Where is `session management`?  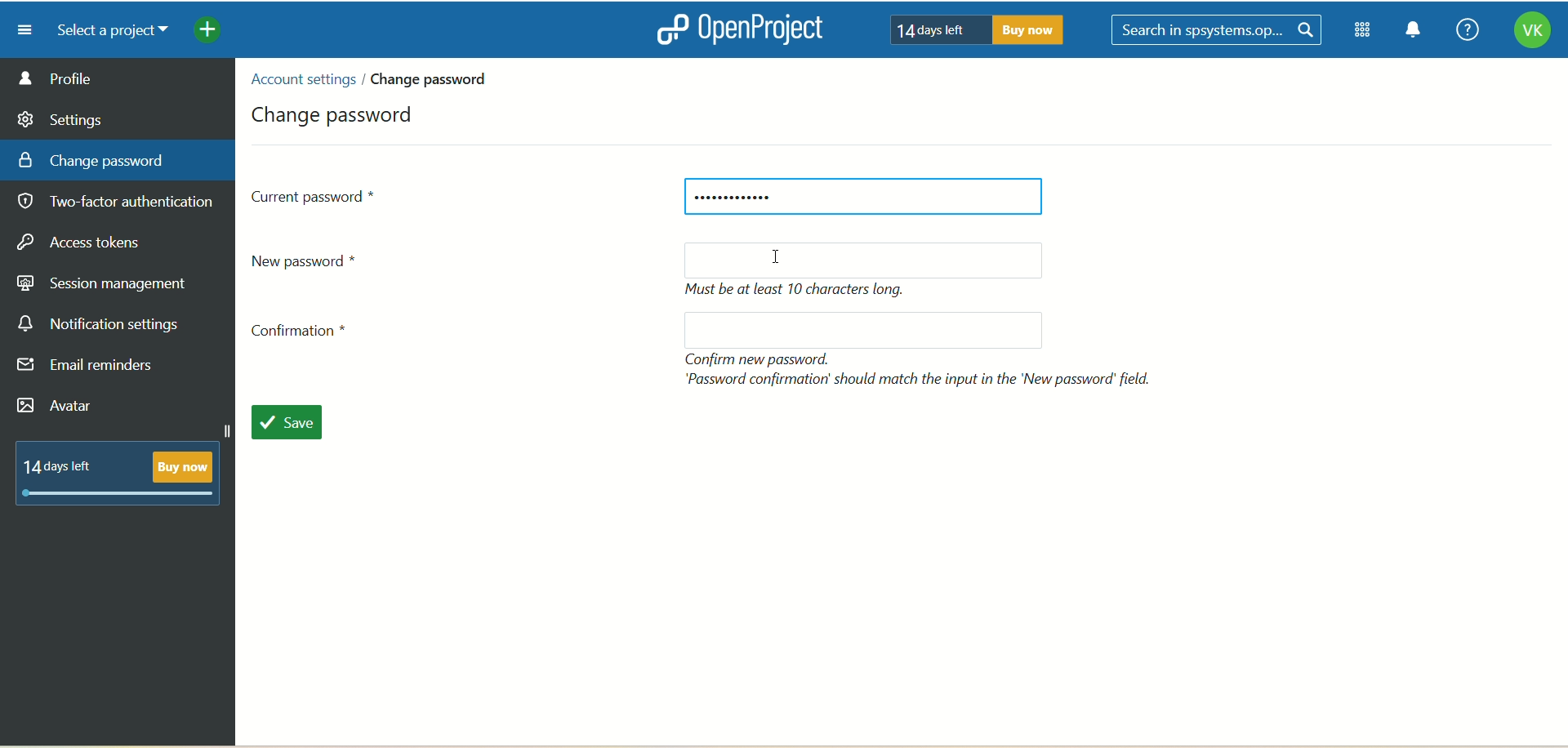 session management is located at coordinates (104, 281).